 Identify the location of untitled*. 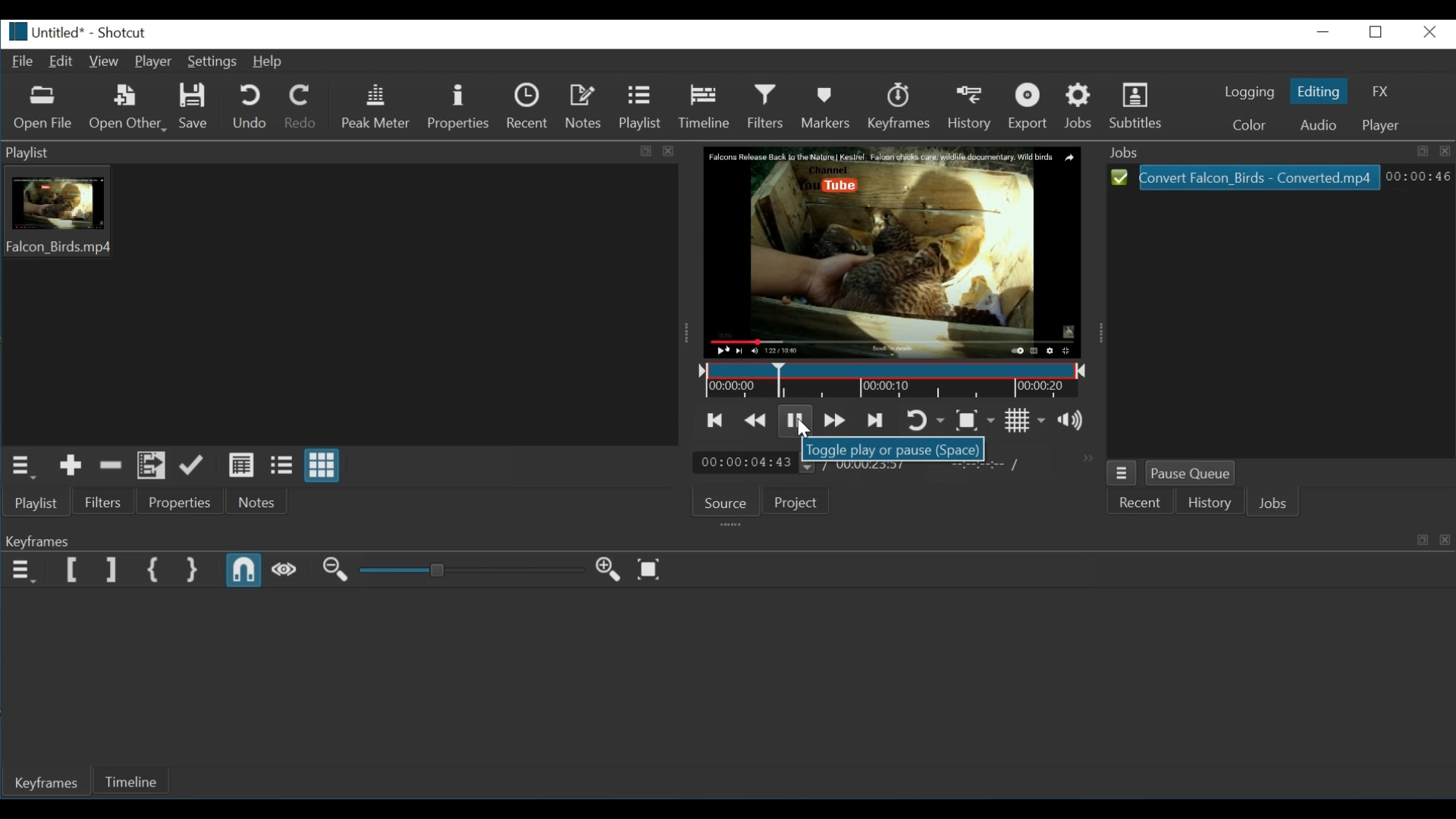
(44, 33).